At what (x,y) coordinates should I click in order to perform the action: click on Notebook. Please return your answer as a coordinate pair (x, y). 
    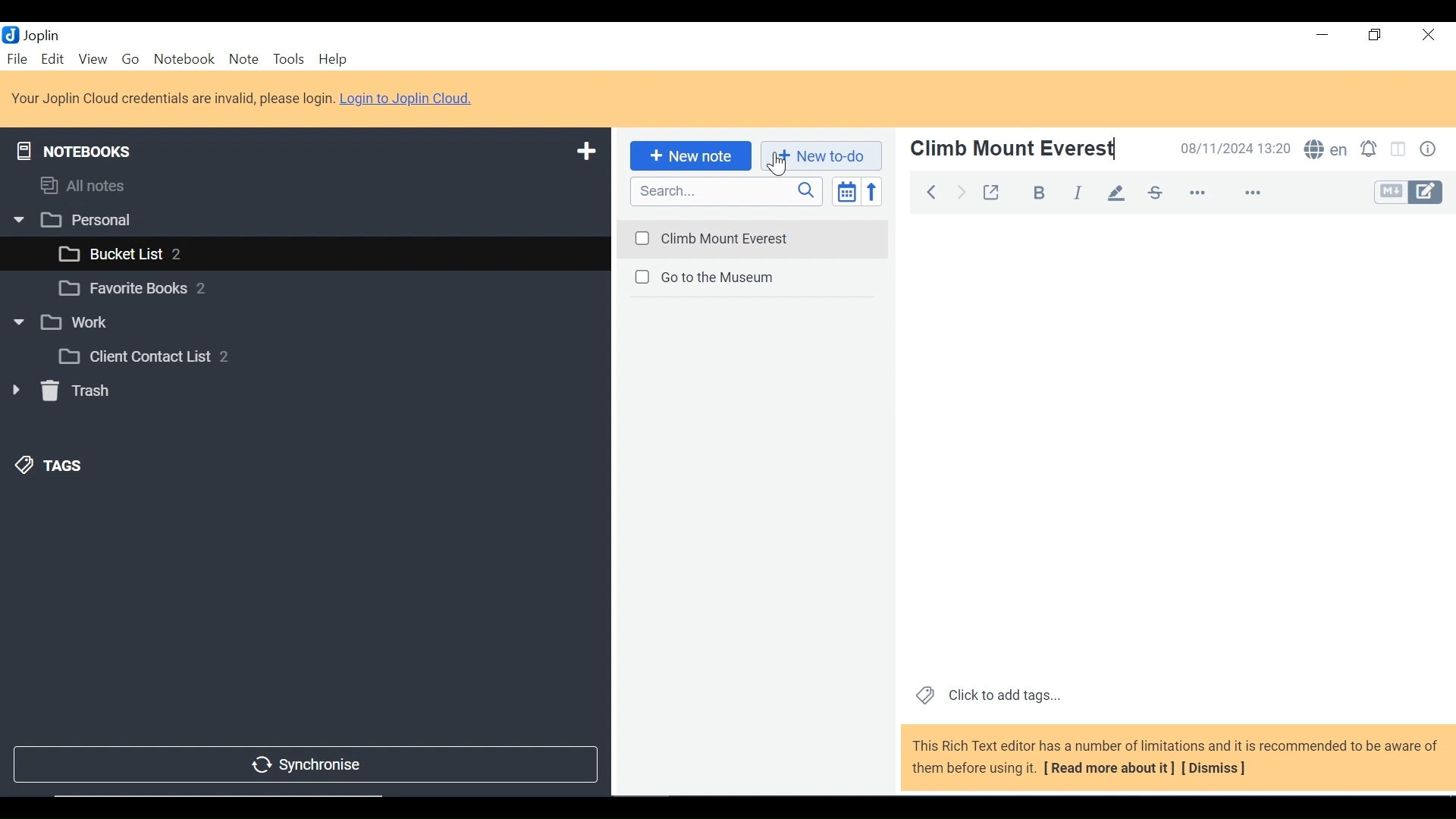
    Looking at the image, I should click on (184, 60).